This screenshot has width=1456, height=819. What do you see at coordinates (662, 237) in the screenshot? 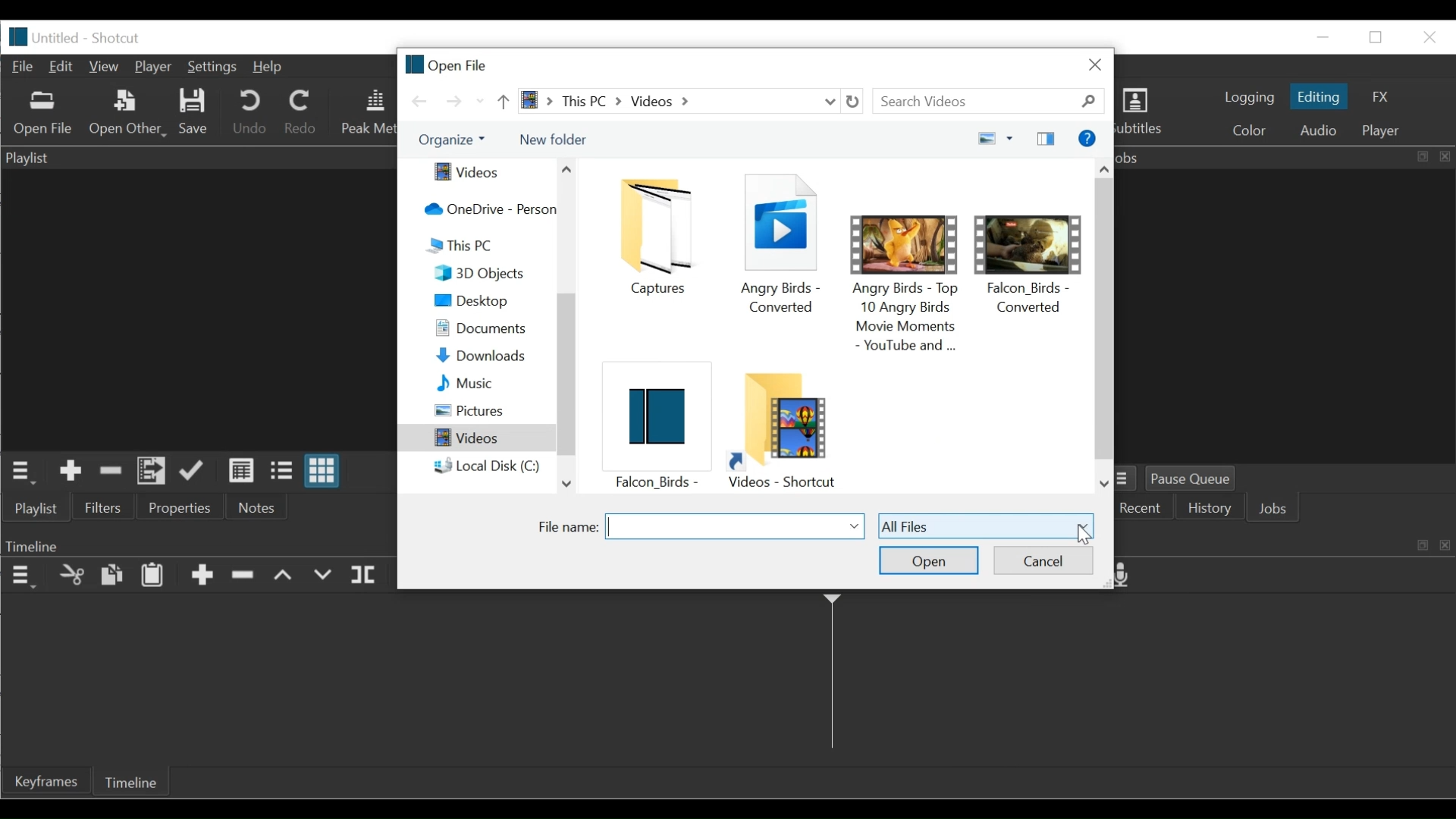
I see `captures` at bounding box center [662, 237].